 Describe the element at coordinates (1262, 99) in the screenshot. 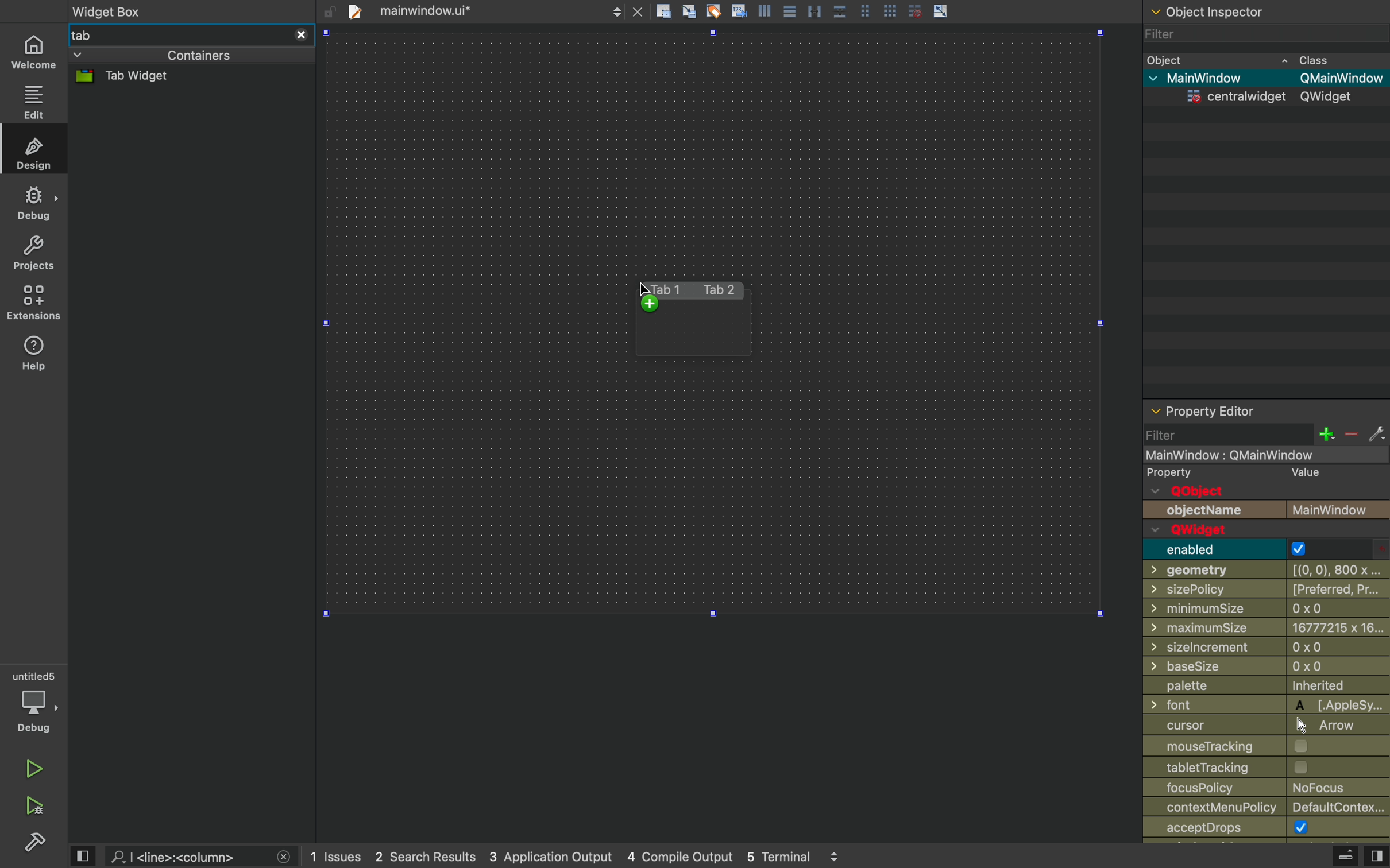

I see `centra widget` at that location.